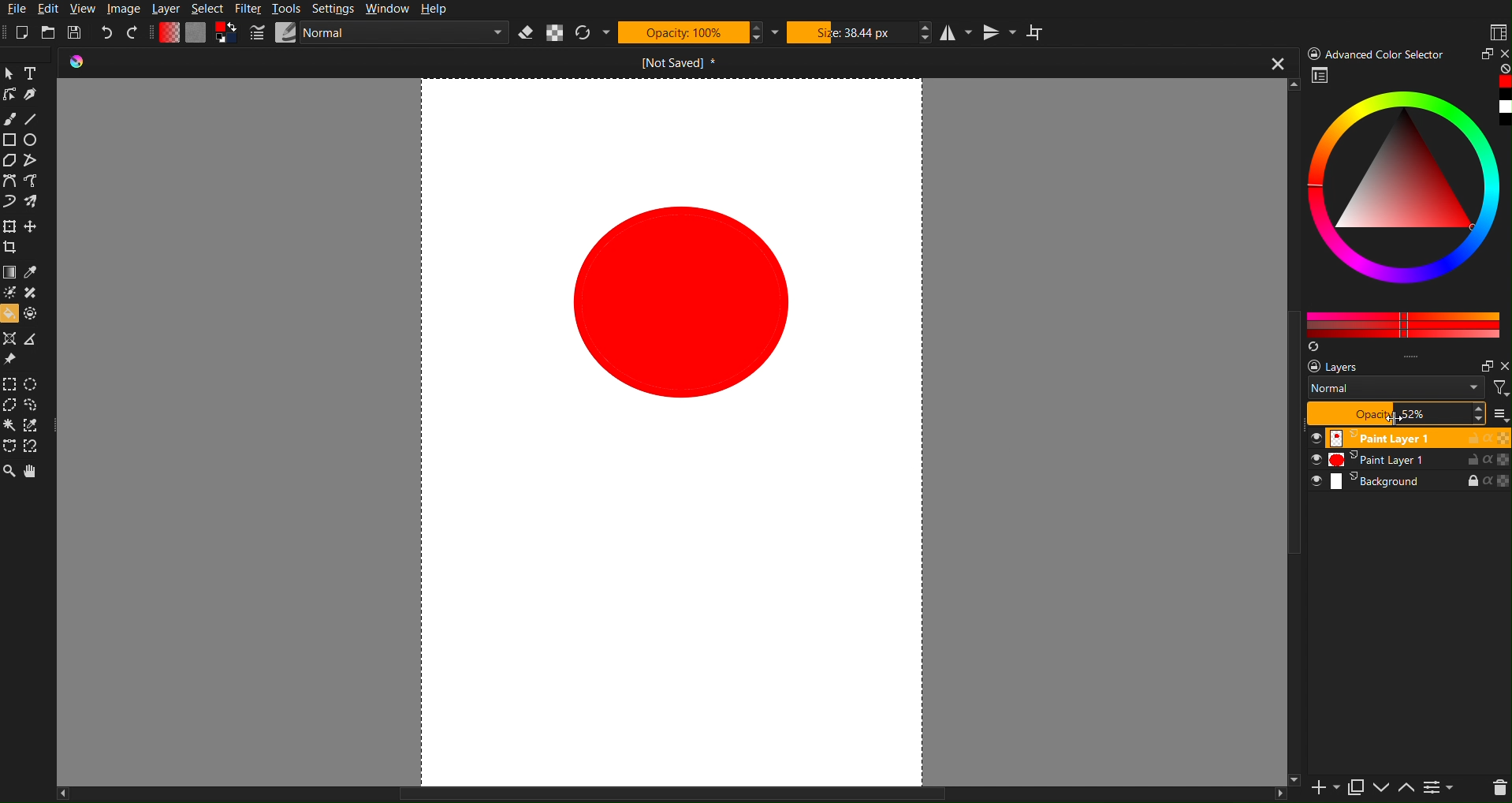 The width and height of the screenshot is (1512, 803). What do you see at coordinates (1503, 77) in the screenshot?
I see `Red` at bounding box center [1503, 77].